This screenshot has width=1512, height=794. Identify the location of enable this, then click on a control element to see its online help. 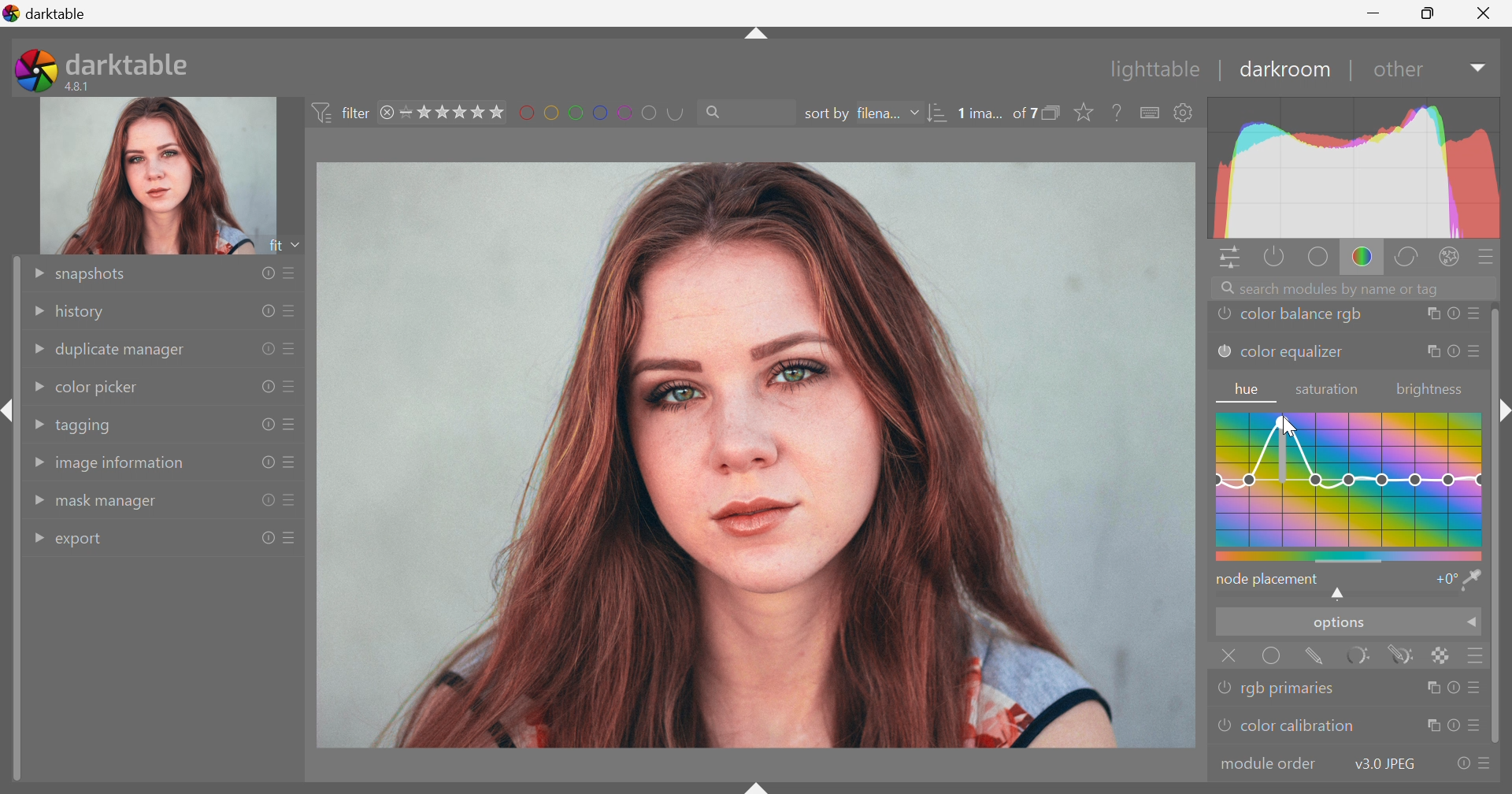
(1118, 112).